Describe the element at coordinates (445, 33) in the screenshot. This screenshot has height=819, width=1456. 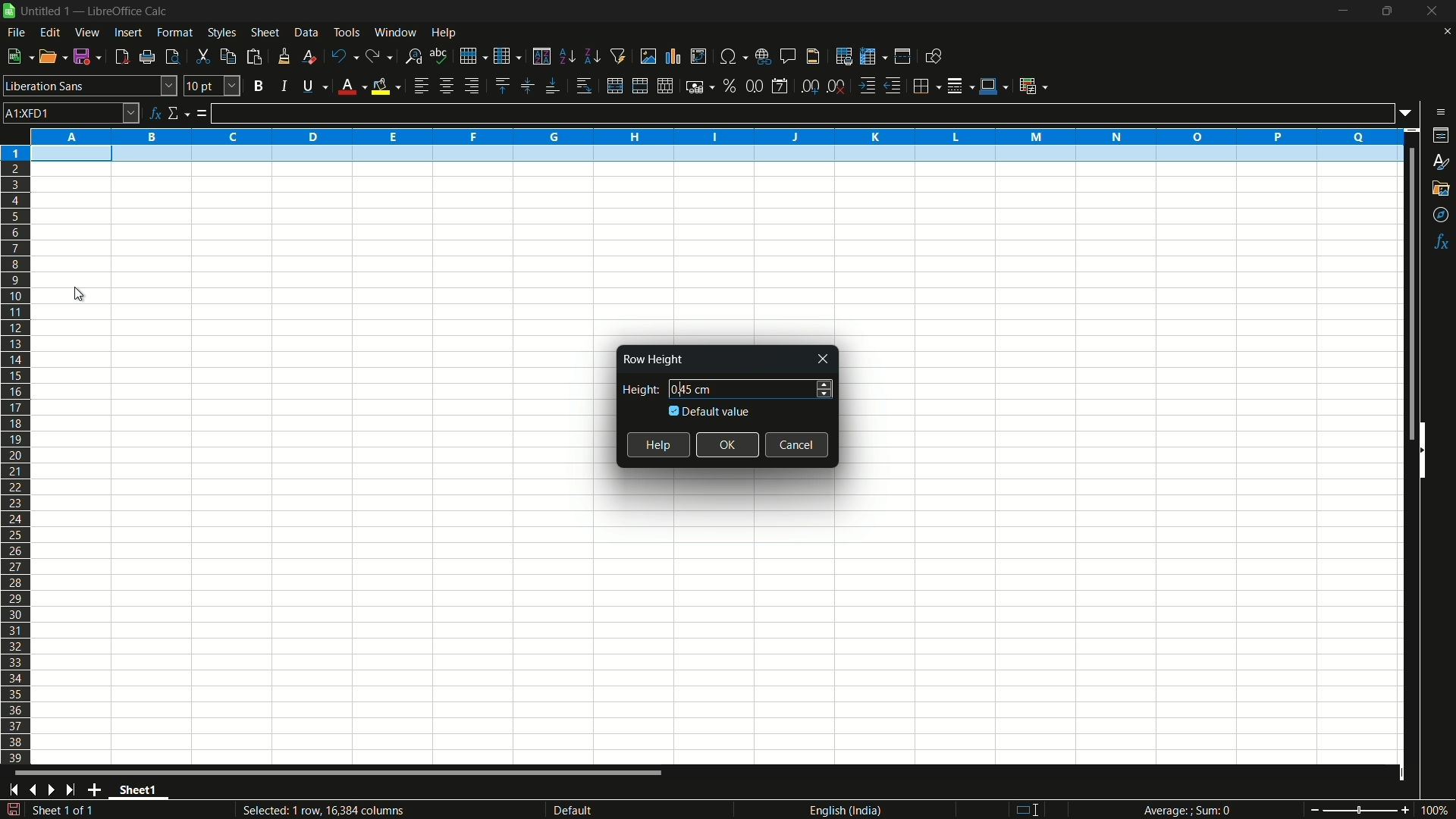
I see `help menu` at that location.